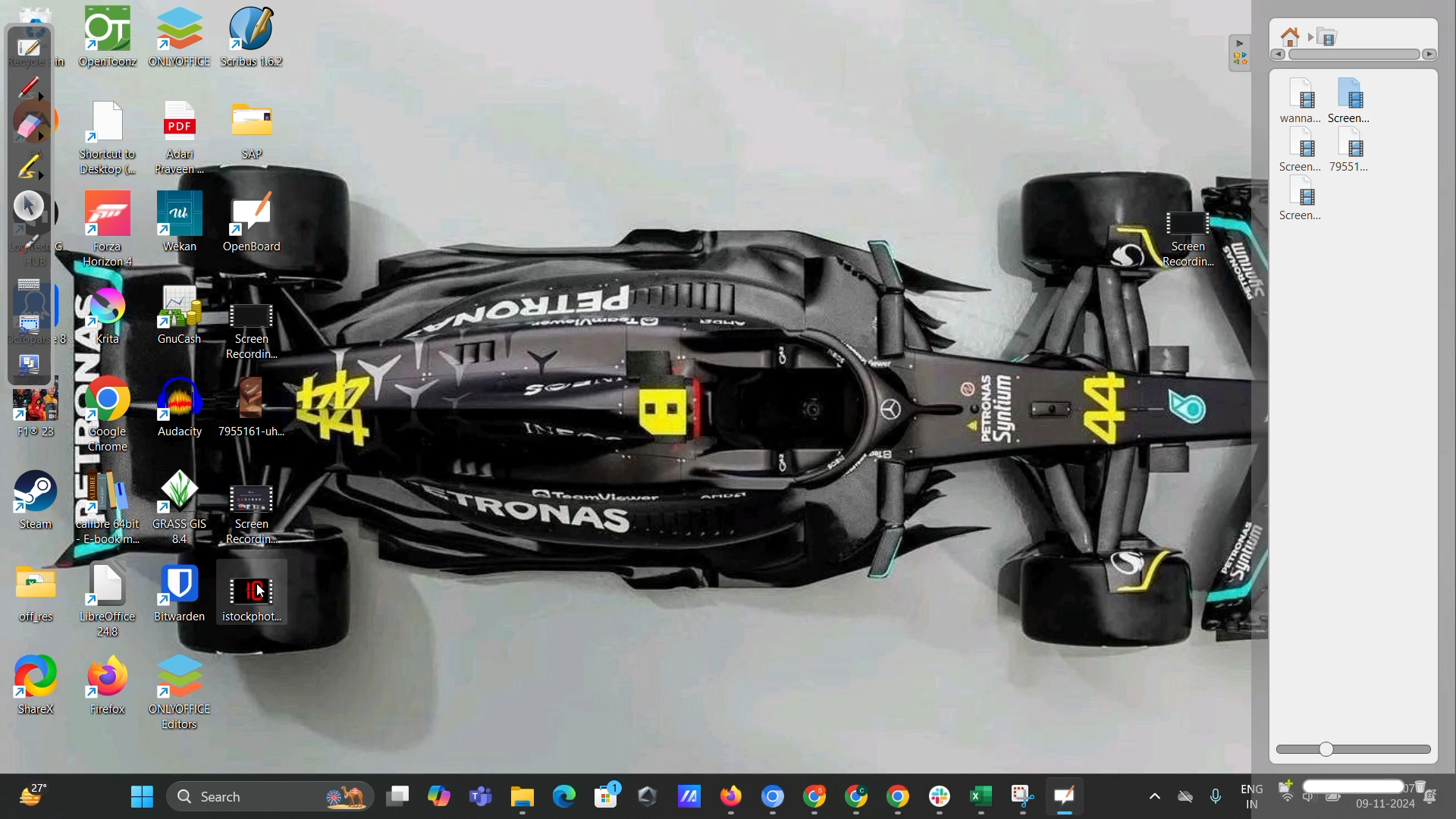 The height and width of the screenshot is (819, 1456). Describe the element at coordinates (27, 324) in the screenshot. I see `capture part of screen` at that location.